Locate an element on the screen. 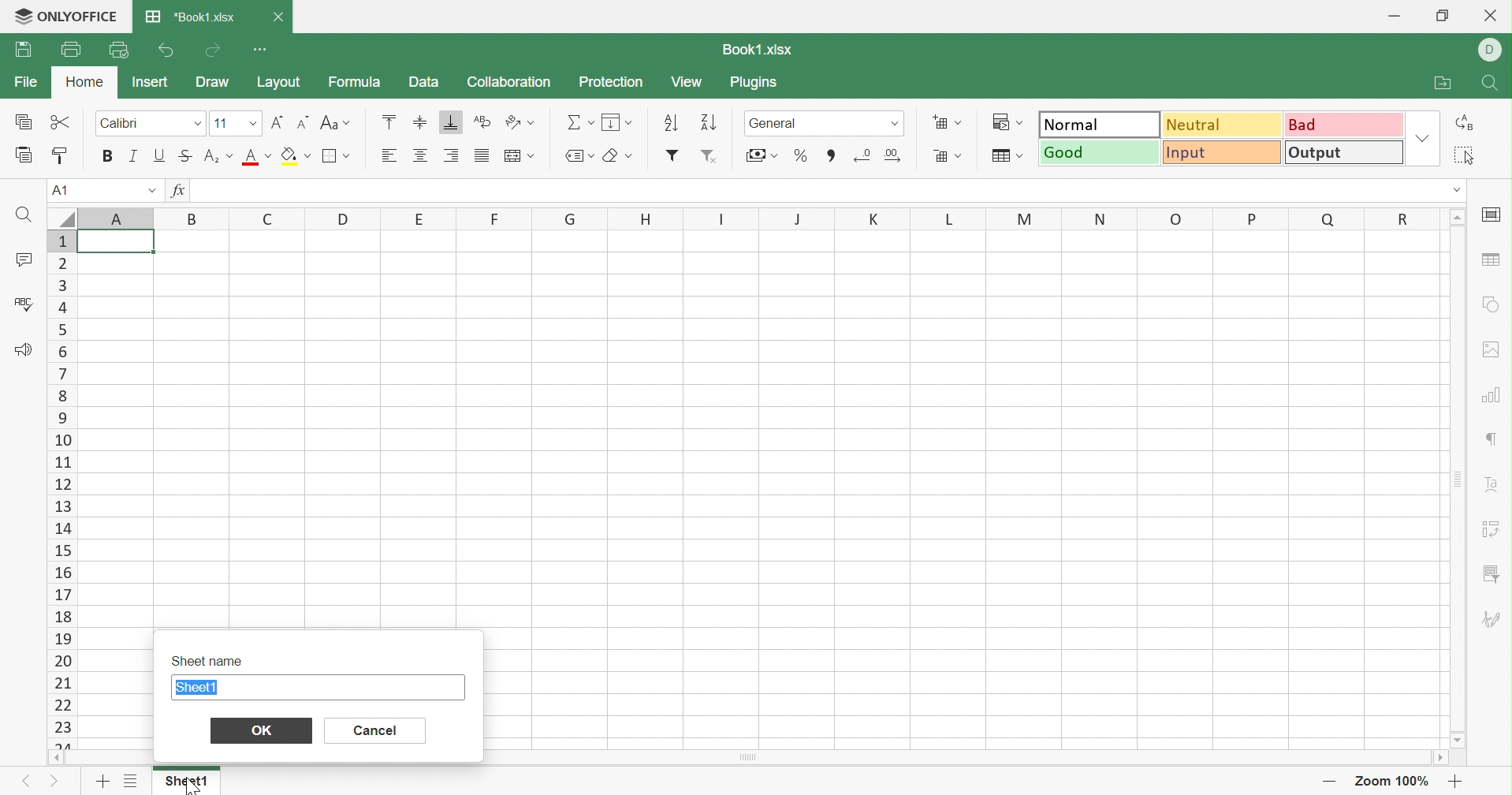 Image resolution: width=1512 pixels, height=795 pixels. Text Art settings is located at coordinates (1493, 482).